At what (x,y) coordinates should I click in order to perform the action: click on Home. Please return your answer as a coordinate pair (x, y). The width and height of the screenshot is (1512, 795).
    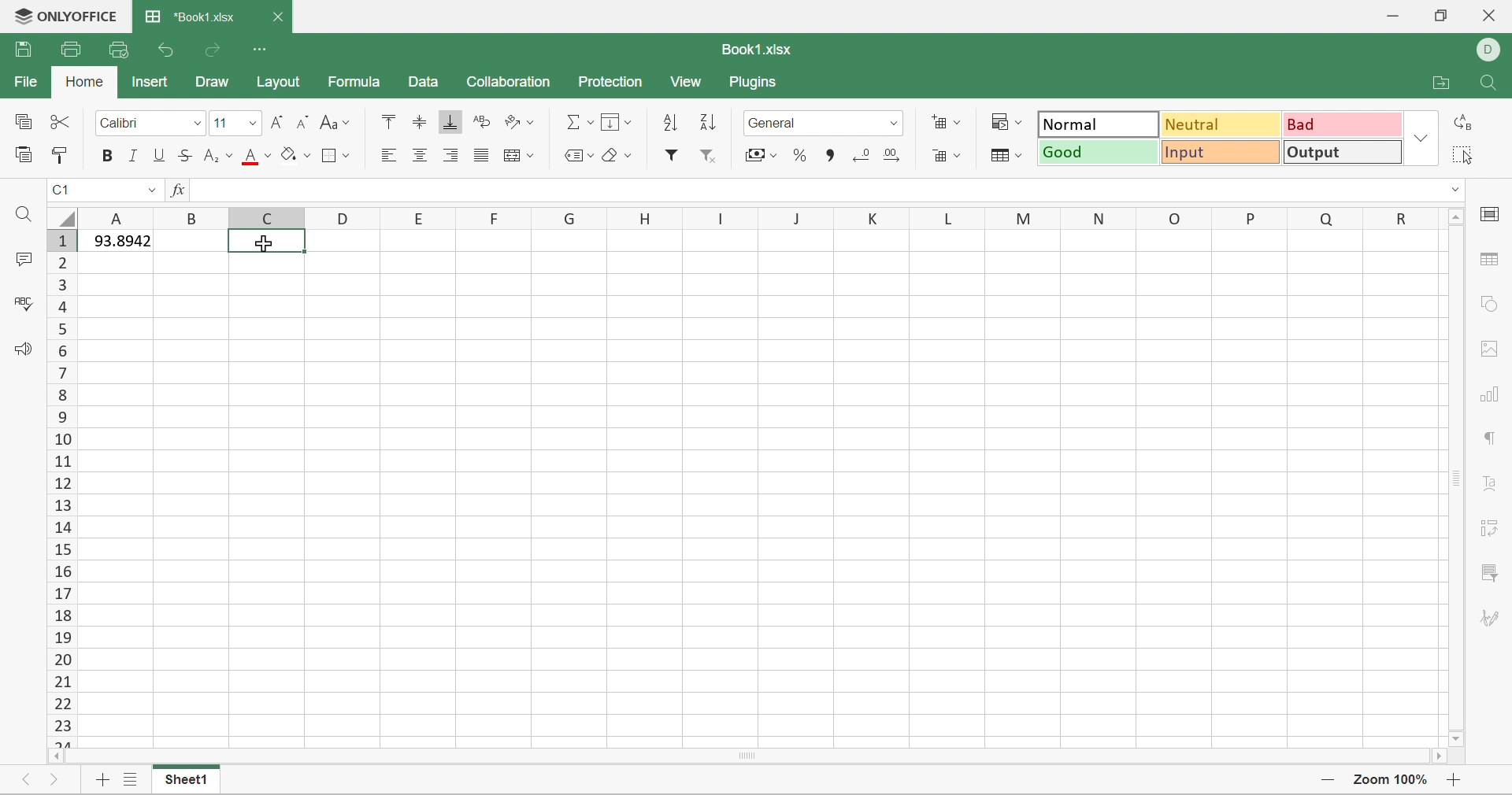
    Looking at the image, I should click on (84, 81).